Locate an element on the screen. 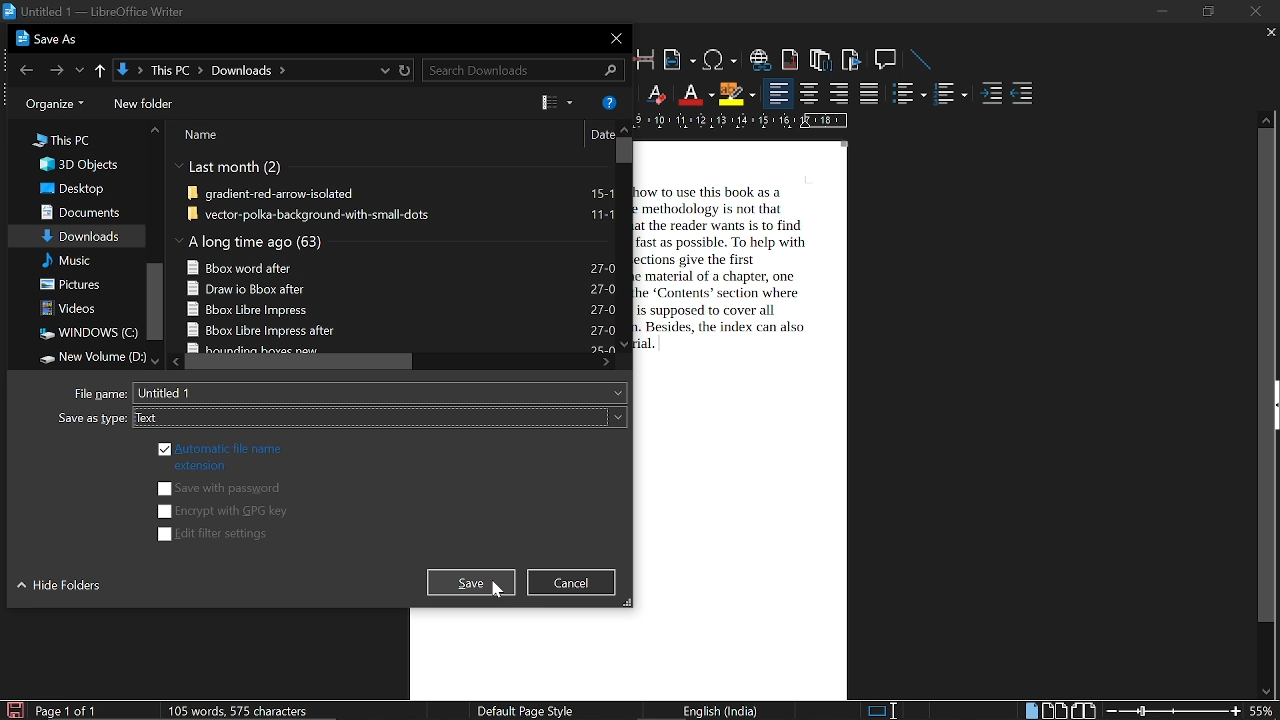 The image size is (1280, 720). cancel is located at coordinates (573, 584).